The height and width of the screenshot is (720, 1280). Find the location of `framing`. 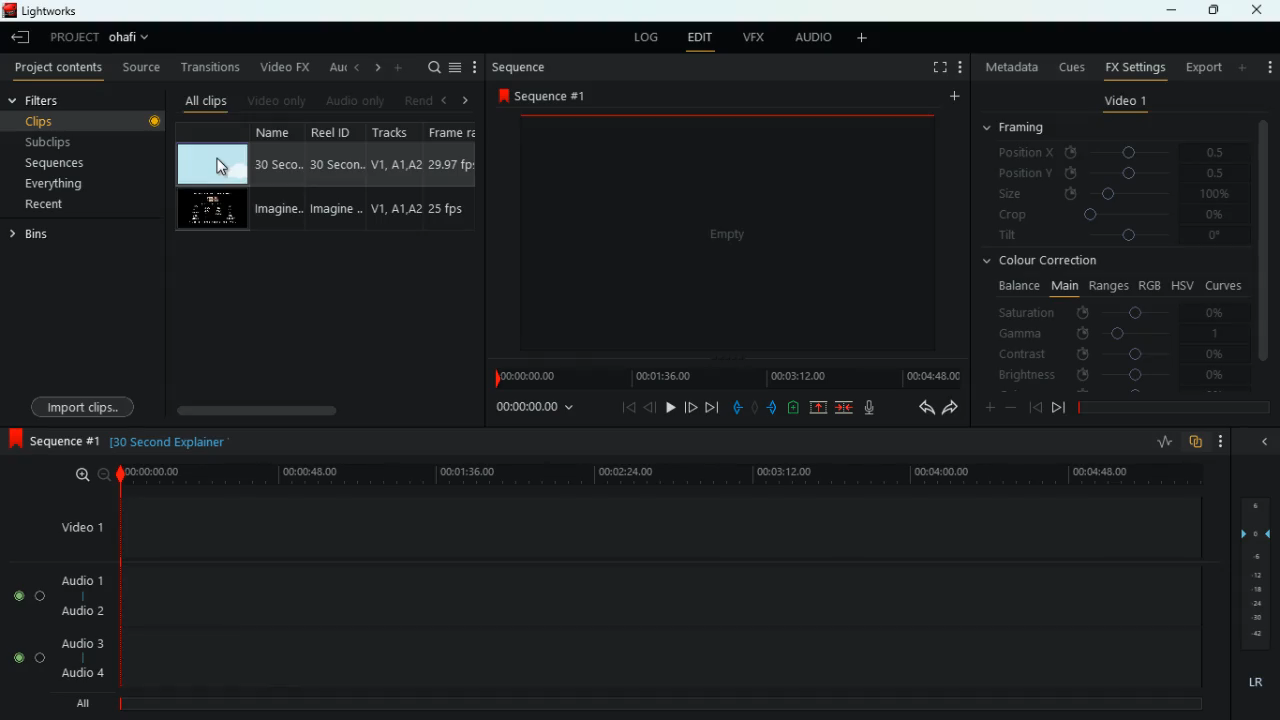

framing is located at coordinates (1020, 127).